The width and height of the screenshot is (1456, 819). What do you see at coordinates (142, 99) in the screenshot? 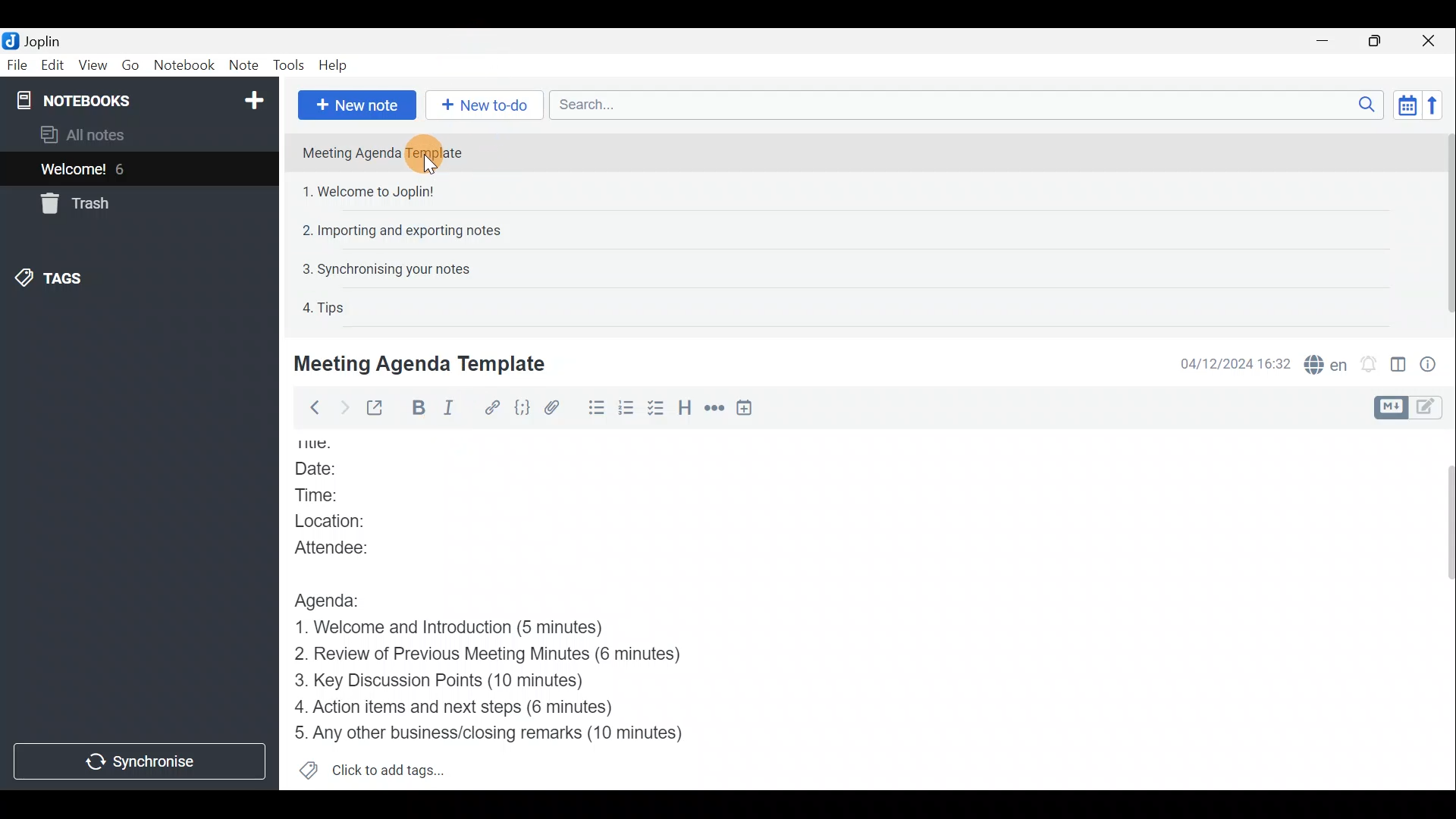
I see `Notebooks` at bounding box center [142, 99].